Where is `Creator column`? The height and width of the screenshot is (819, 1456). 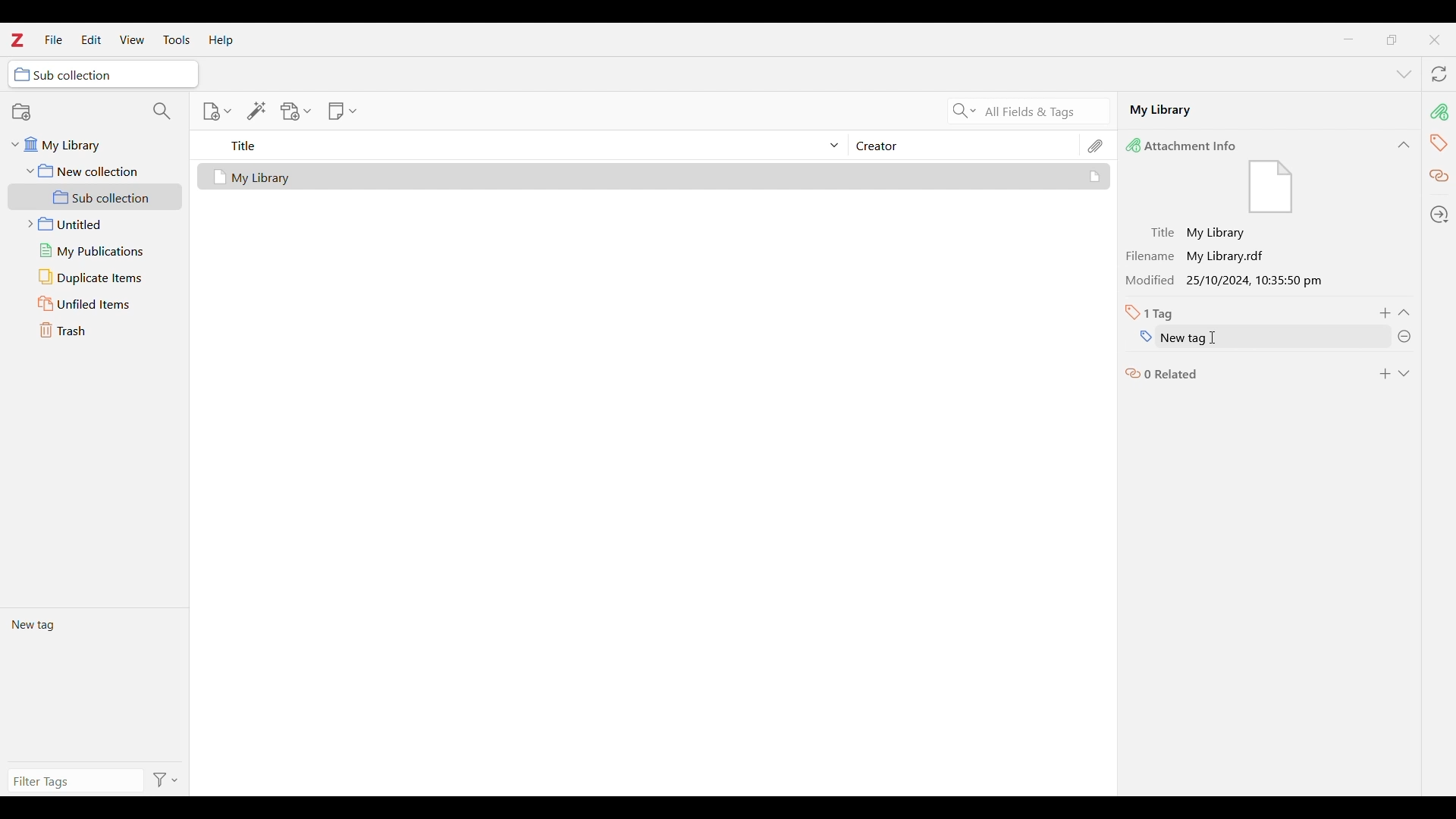 Creator column is located at coordinates (963, 145).